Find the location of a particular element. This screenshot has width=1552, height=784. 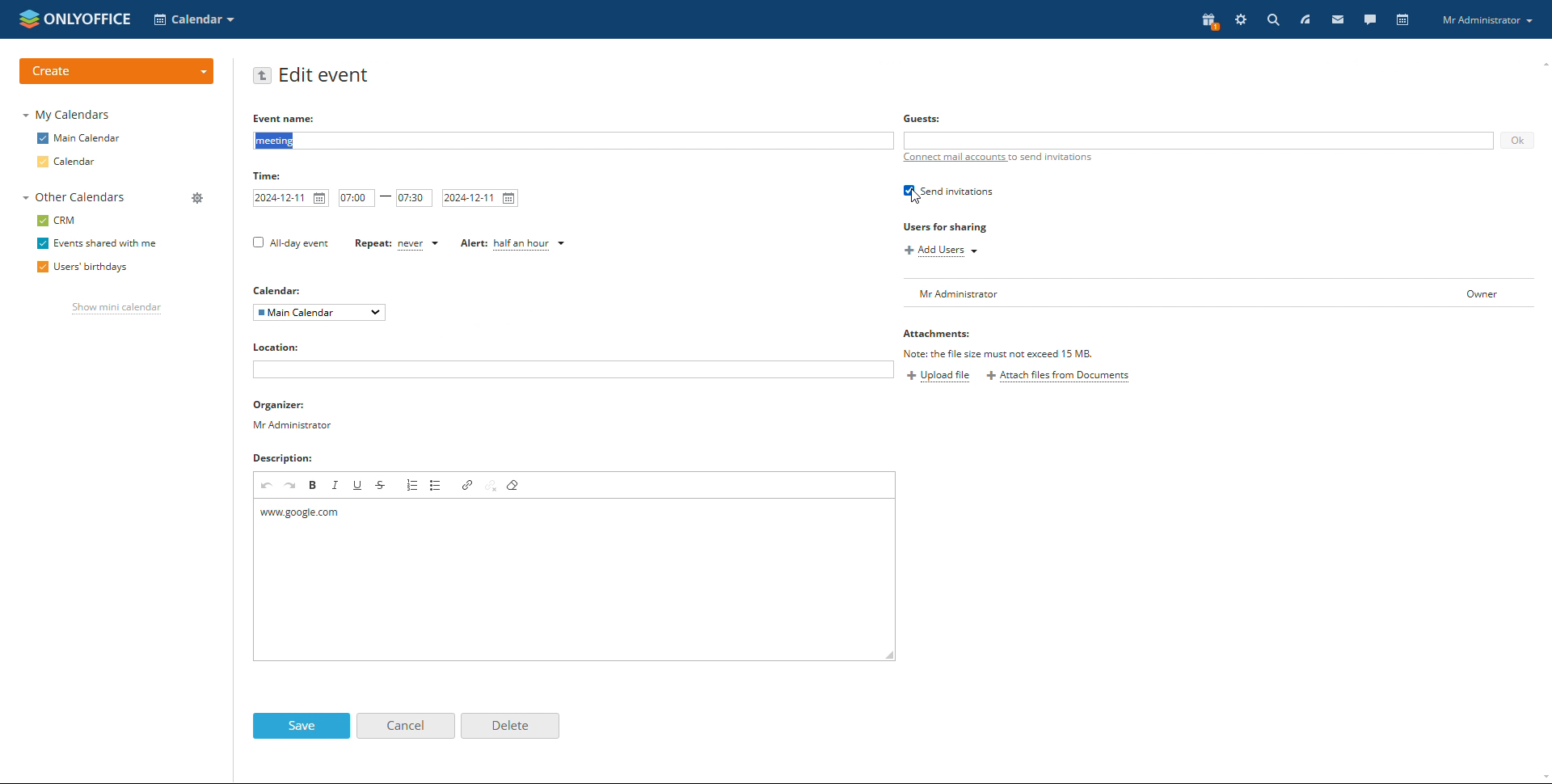

save is located at coordinates (302, 726).